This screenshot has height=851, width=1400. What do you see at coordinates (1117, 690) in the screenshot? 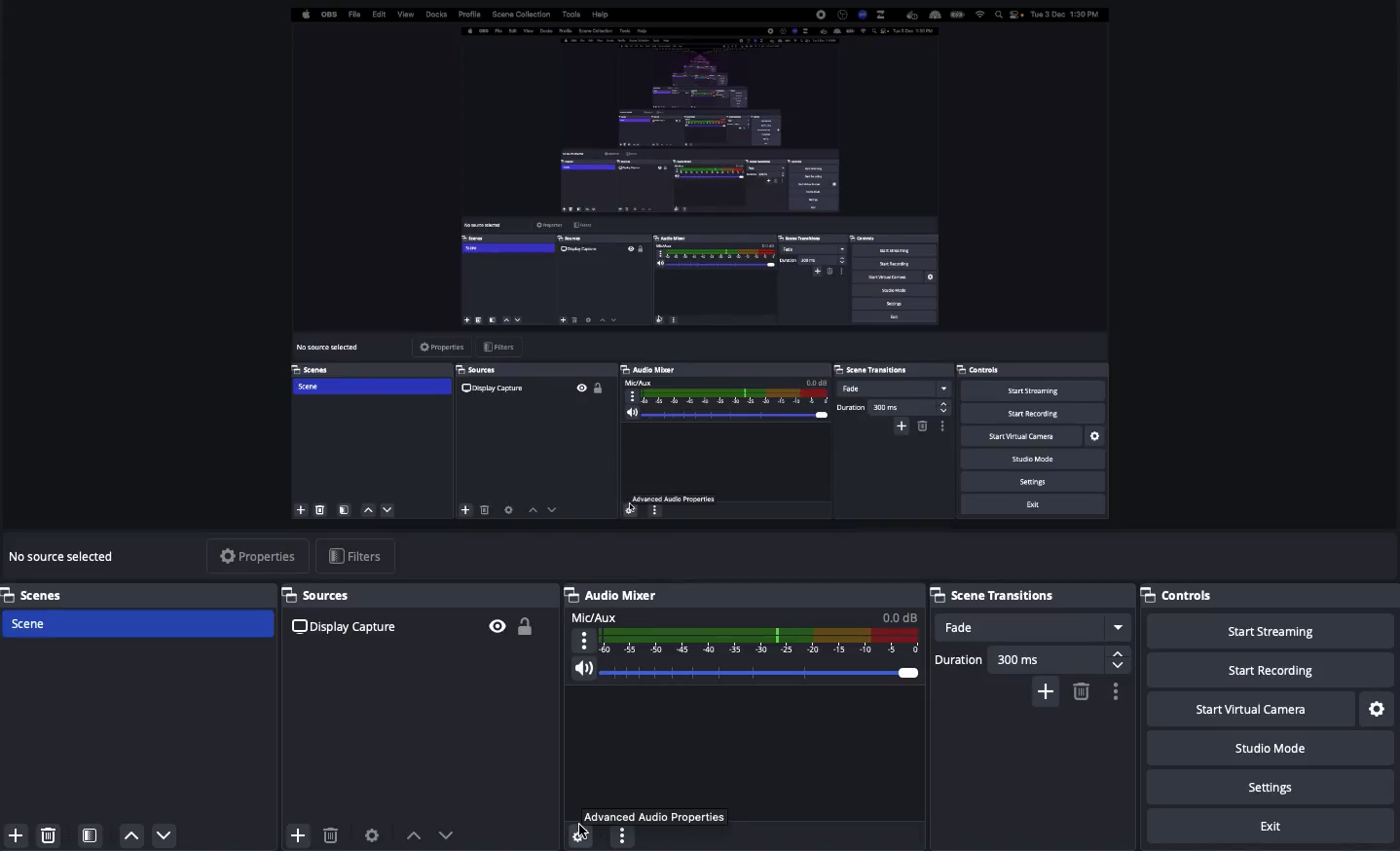
I see `Options` at bounding box center [1117, 690].